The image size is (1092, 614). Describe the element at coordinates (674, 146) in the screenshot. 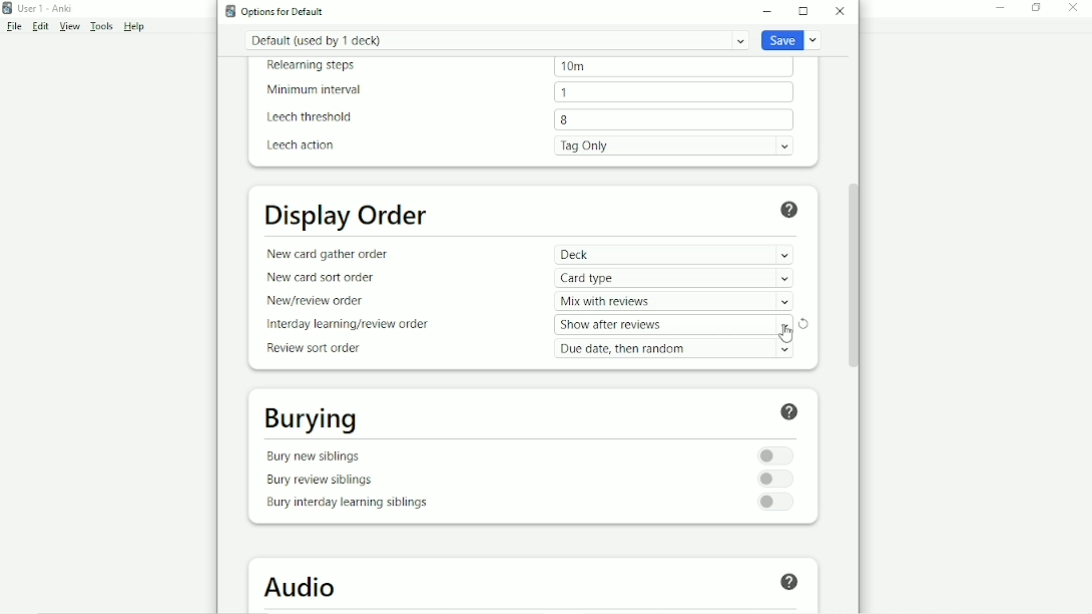

I see `Tag Only` at that location.